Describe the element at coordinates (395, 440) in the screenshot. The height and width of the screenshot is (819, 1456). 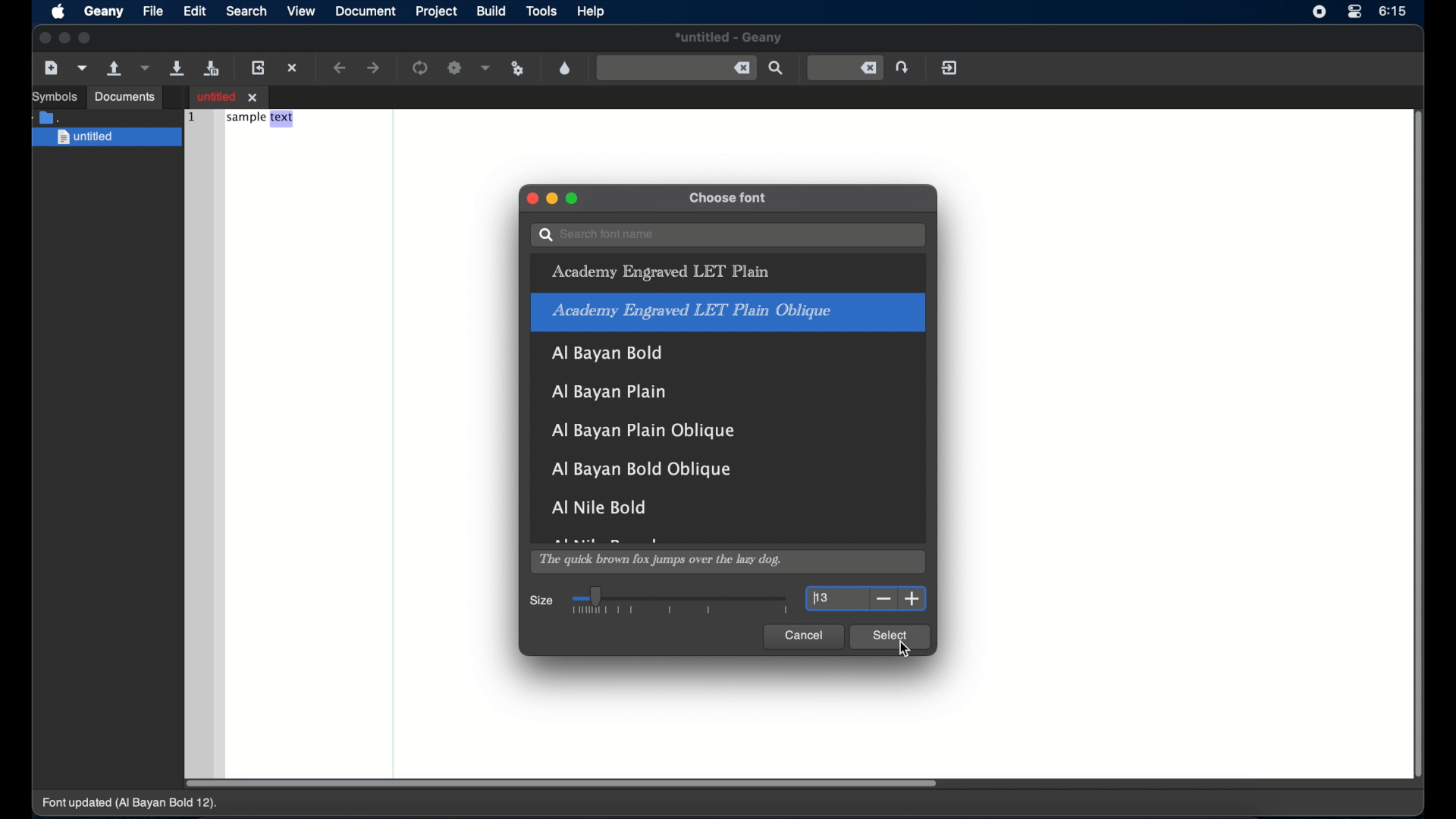
I see `divider` at that location.